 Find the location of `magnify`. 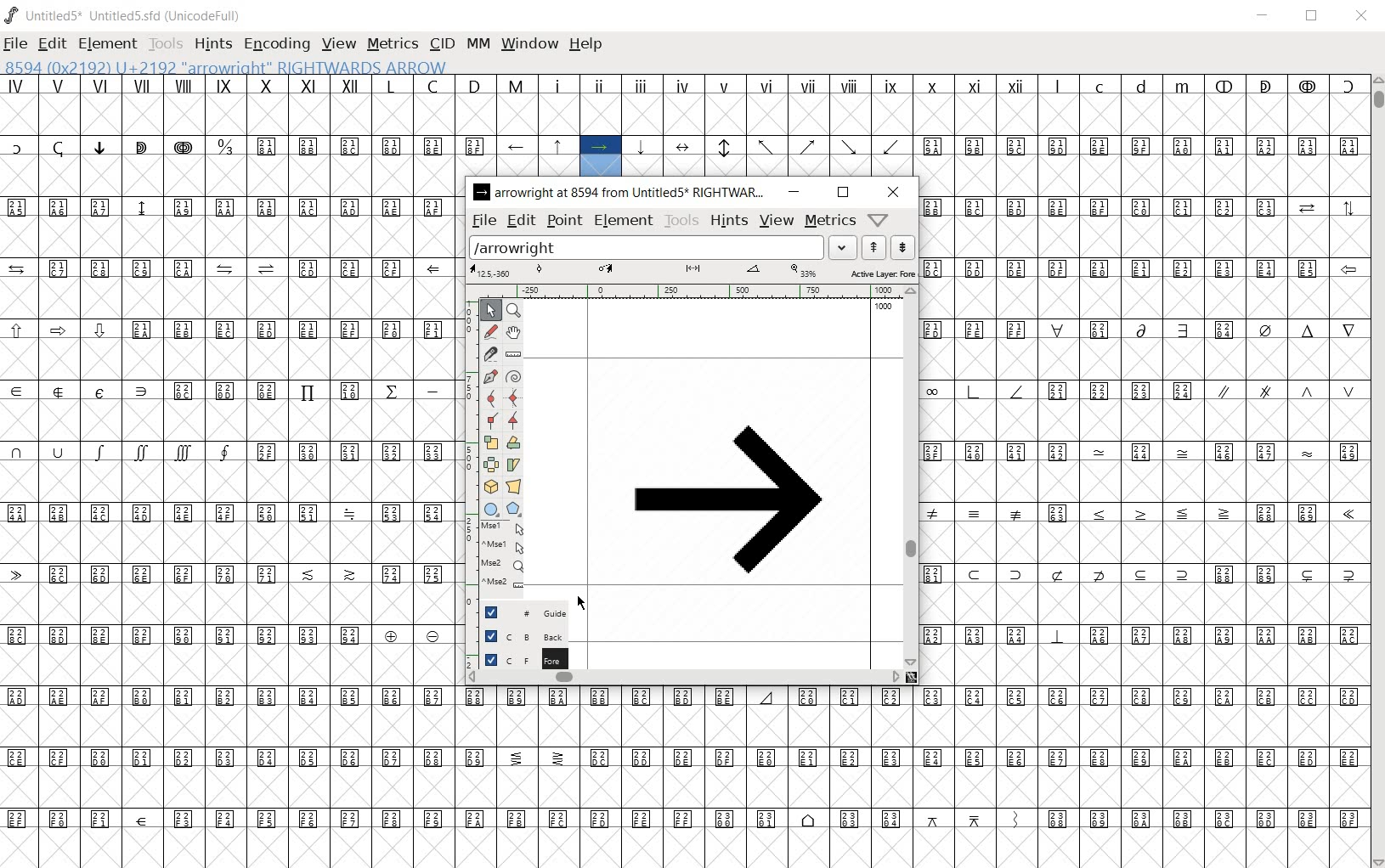

magnify is located at coordinates (517, 311).